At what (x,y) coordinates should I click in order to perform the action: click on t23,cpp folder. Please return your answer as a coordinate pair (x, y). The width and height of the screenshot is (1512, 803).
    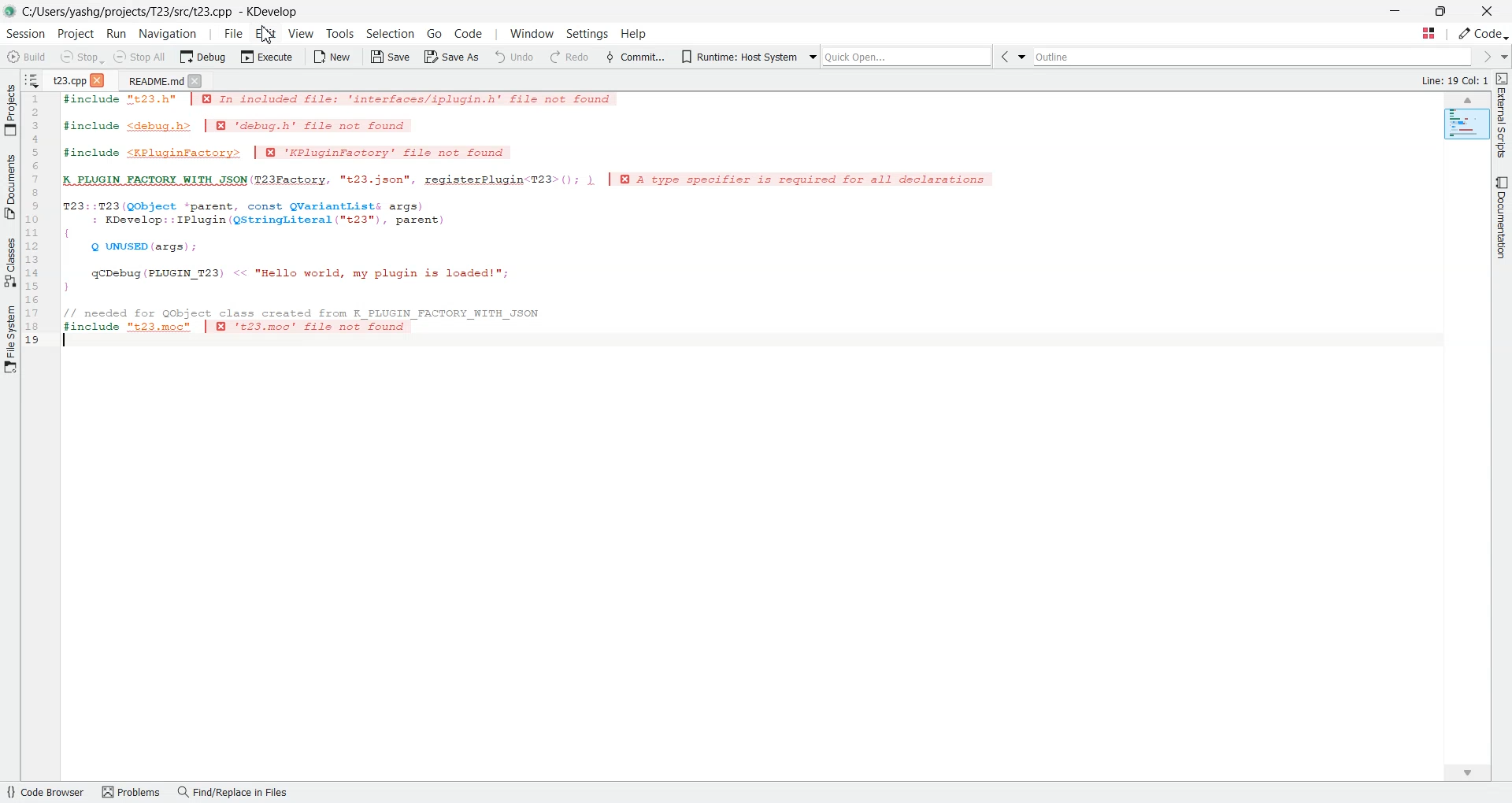
    Looking at the image, I should click on (69, 80).